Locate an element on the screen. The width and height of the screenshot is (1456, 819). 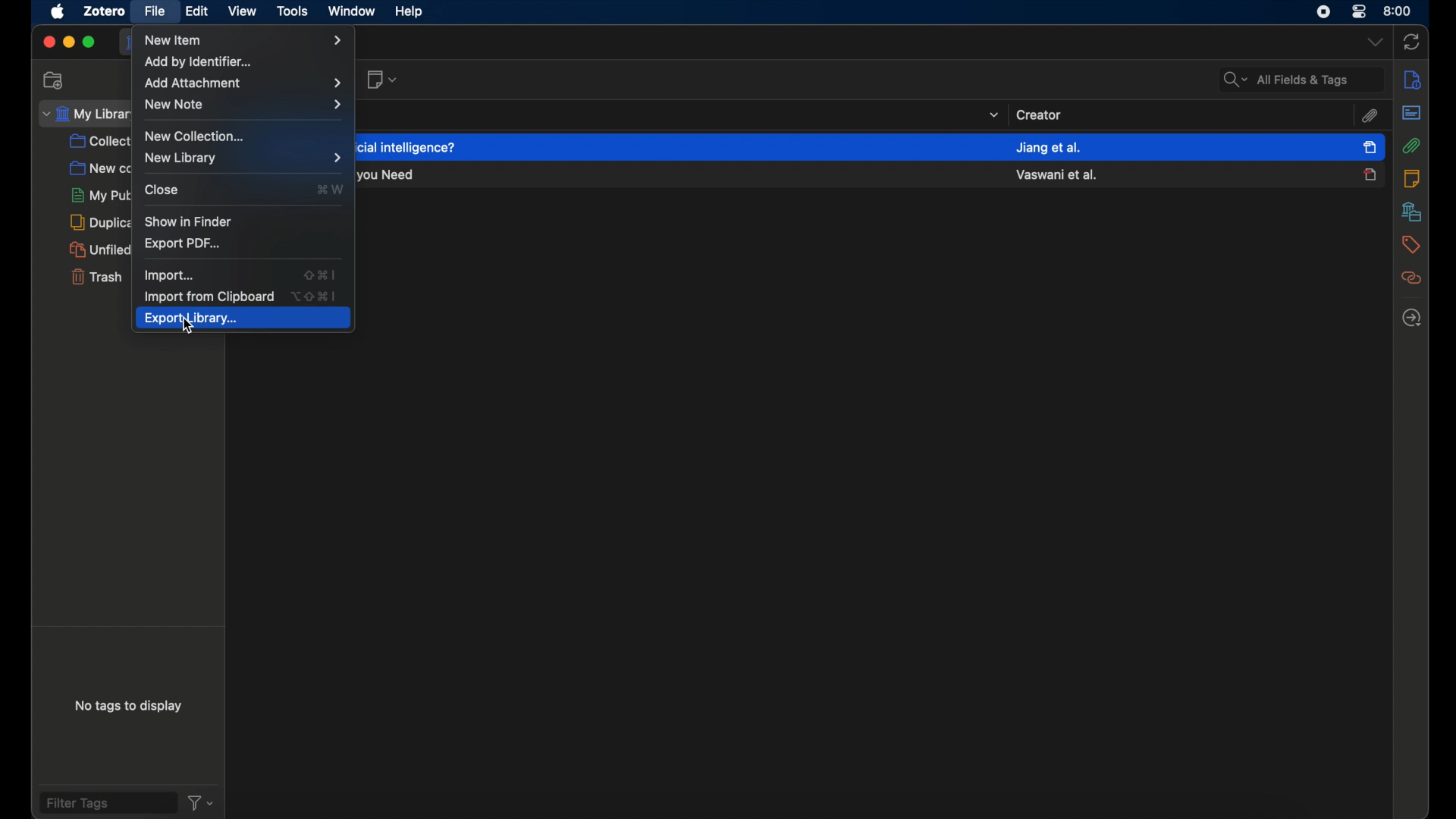
new collection is located at coordinates (55, 80).